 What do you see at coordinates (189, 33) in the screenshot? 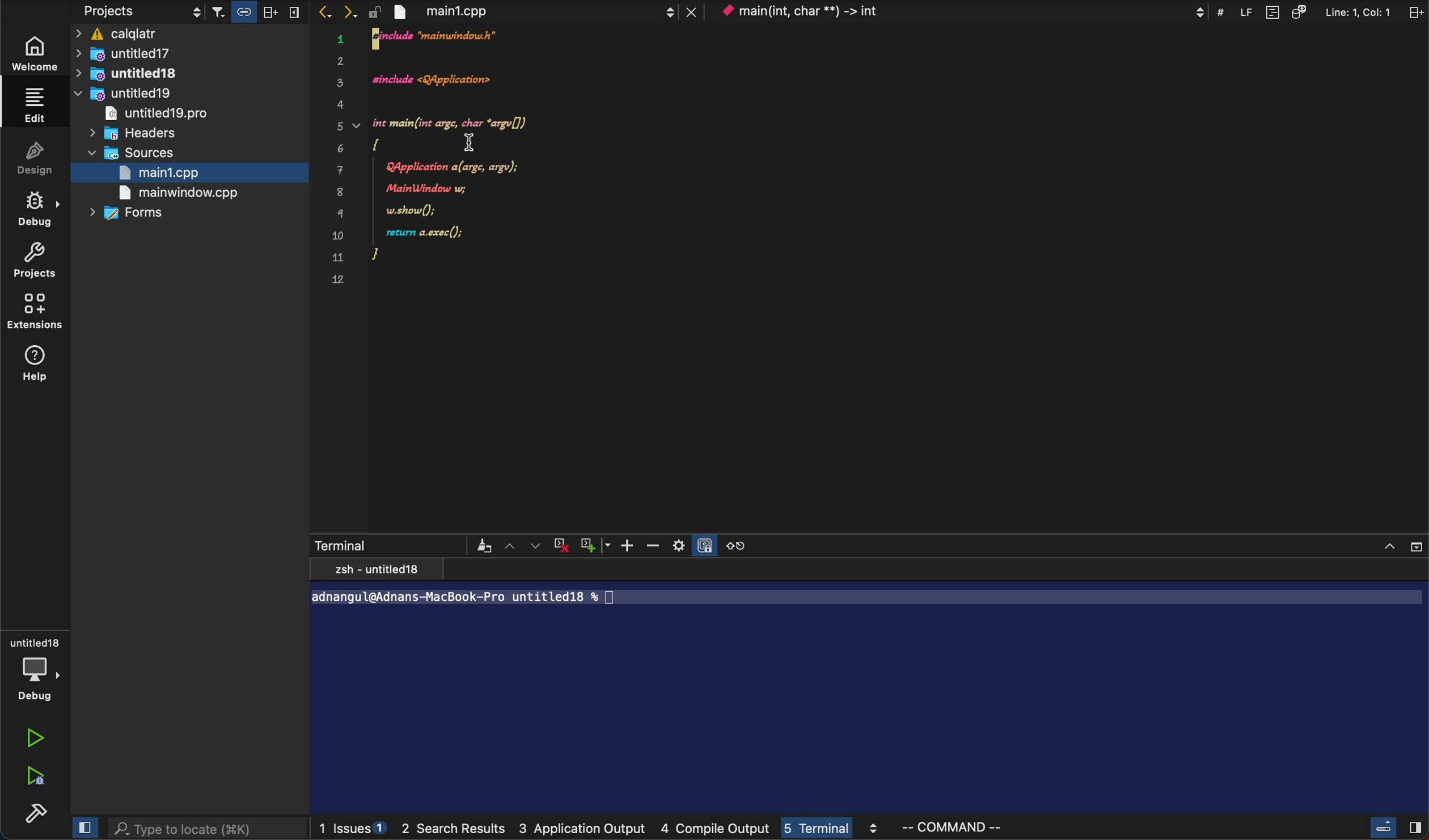
I see `caqlatr` at bounding box center [189, 33].